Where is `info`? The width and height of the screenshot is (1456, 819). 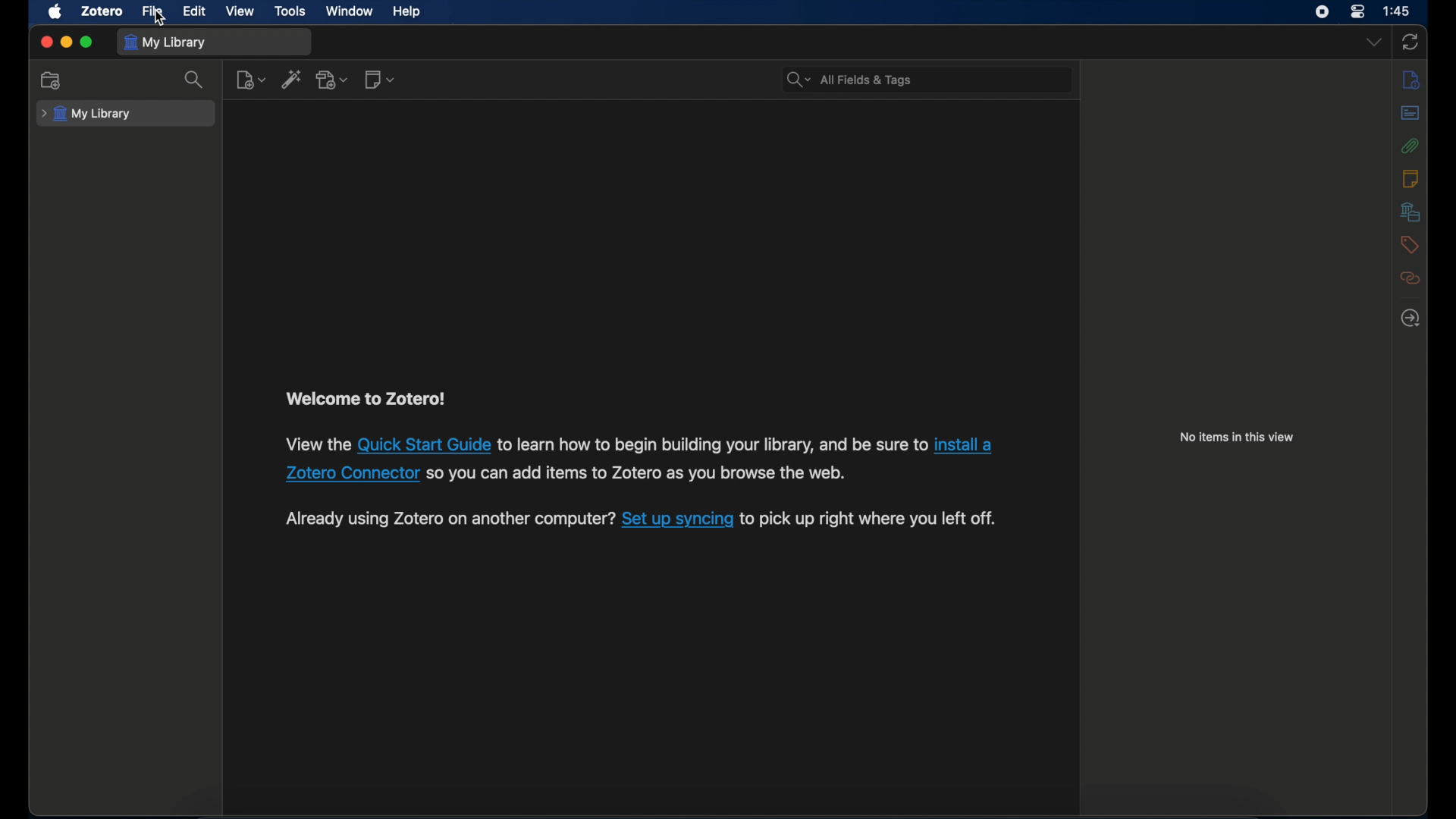
info is located at coordinates (1410, 80).